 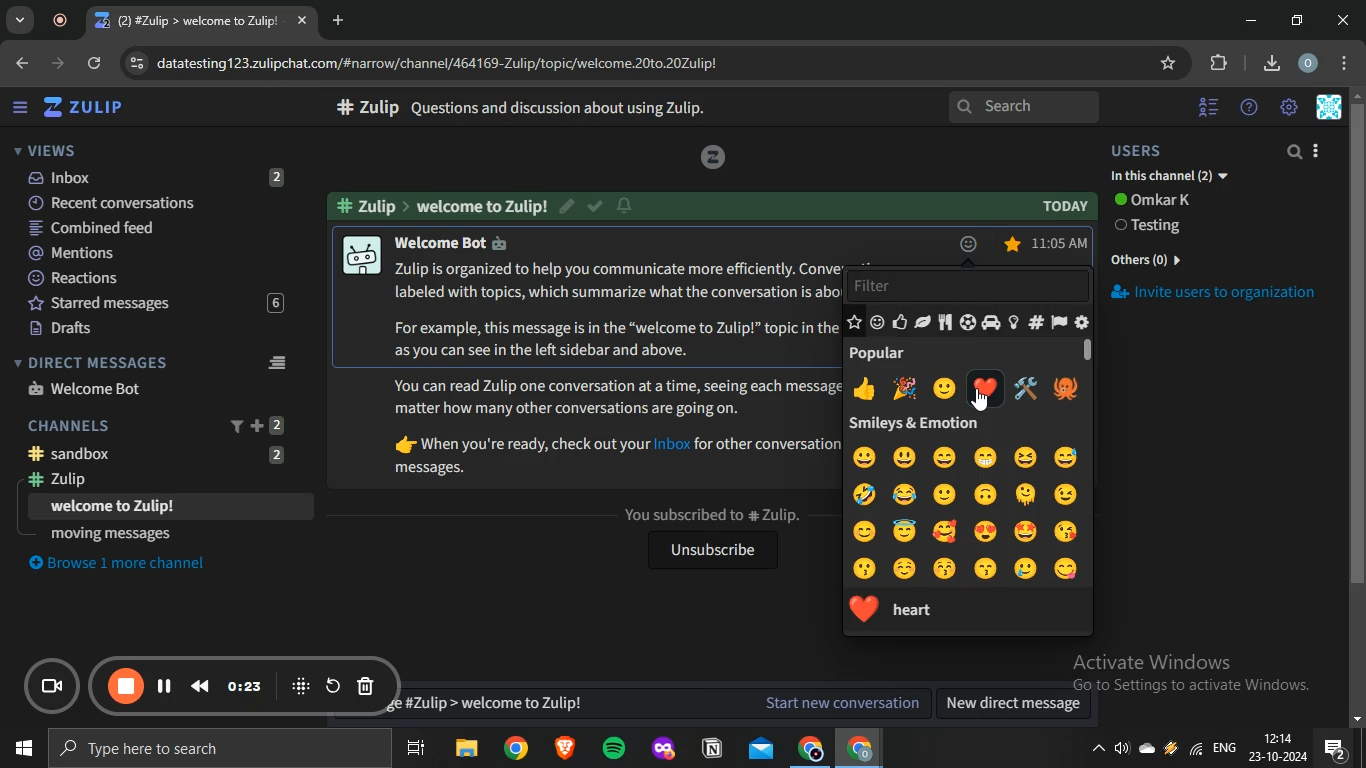 I want to click on reload, so click(x=333, y=685).